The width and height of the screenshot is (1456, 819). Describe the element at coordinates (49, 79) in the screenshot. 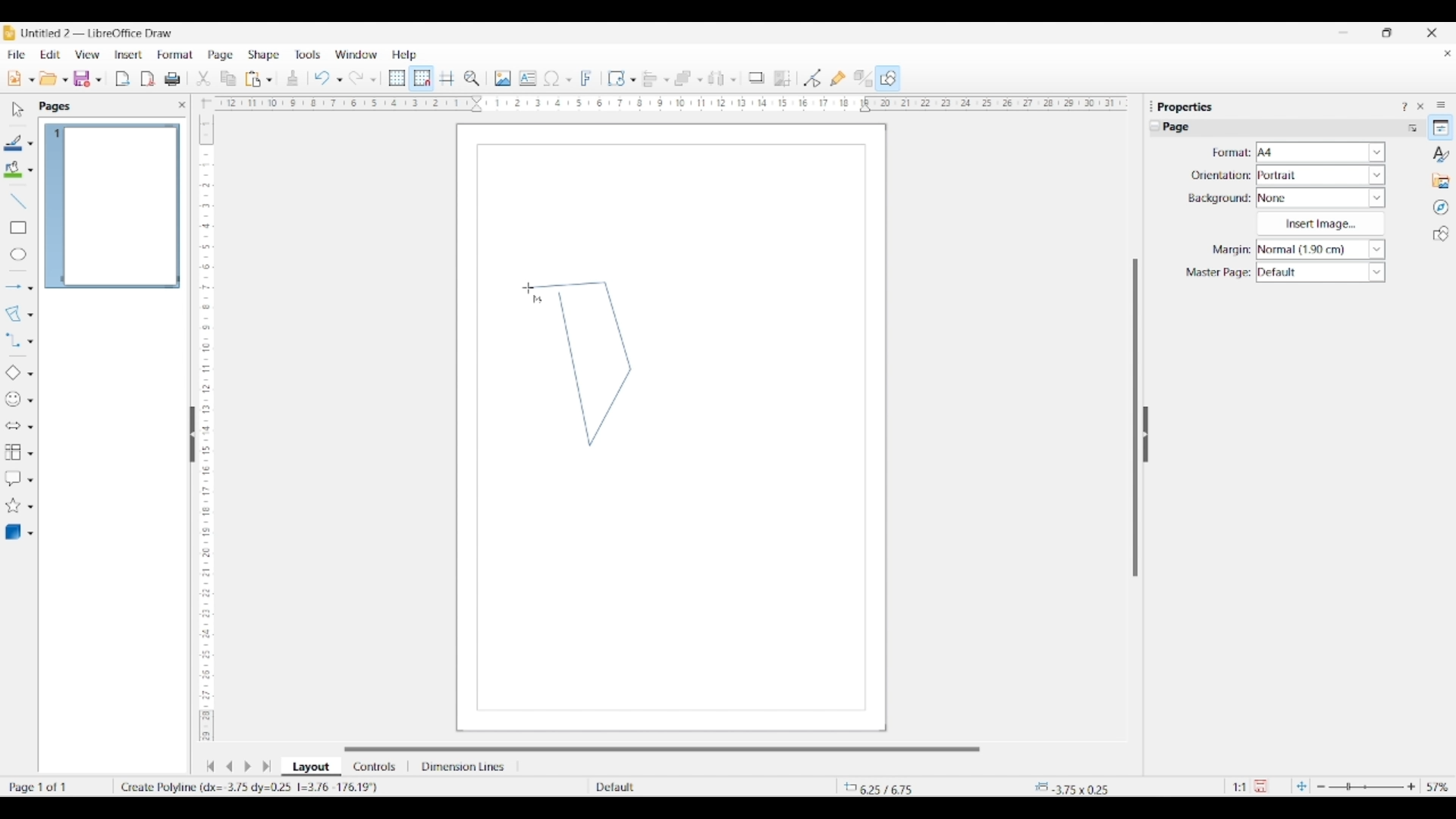

I see `Selected open options` at that location.